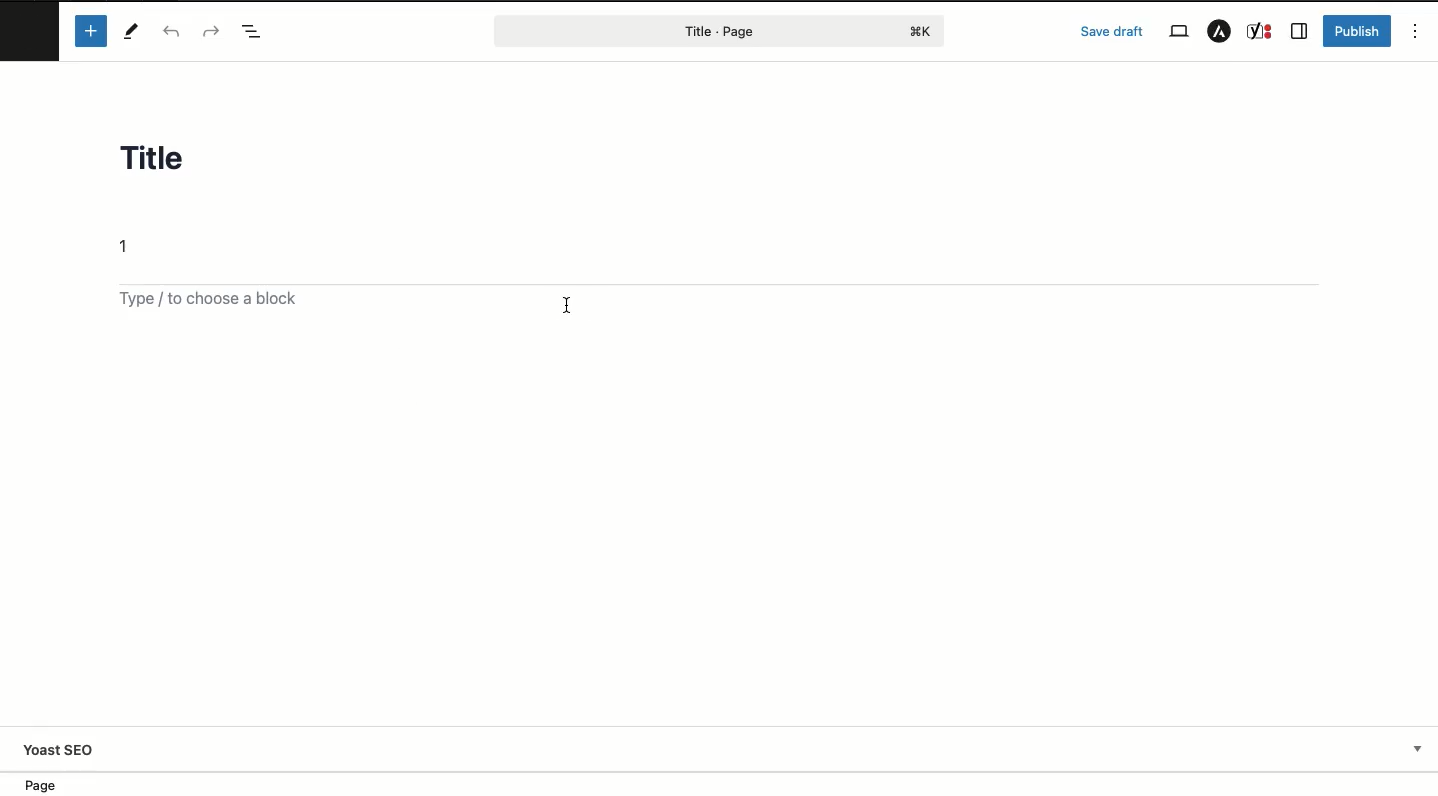  What do you see at coordinates (569, 306) in the screenshot?
I see `text cursor` at bounding box center [569, 306].